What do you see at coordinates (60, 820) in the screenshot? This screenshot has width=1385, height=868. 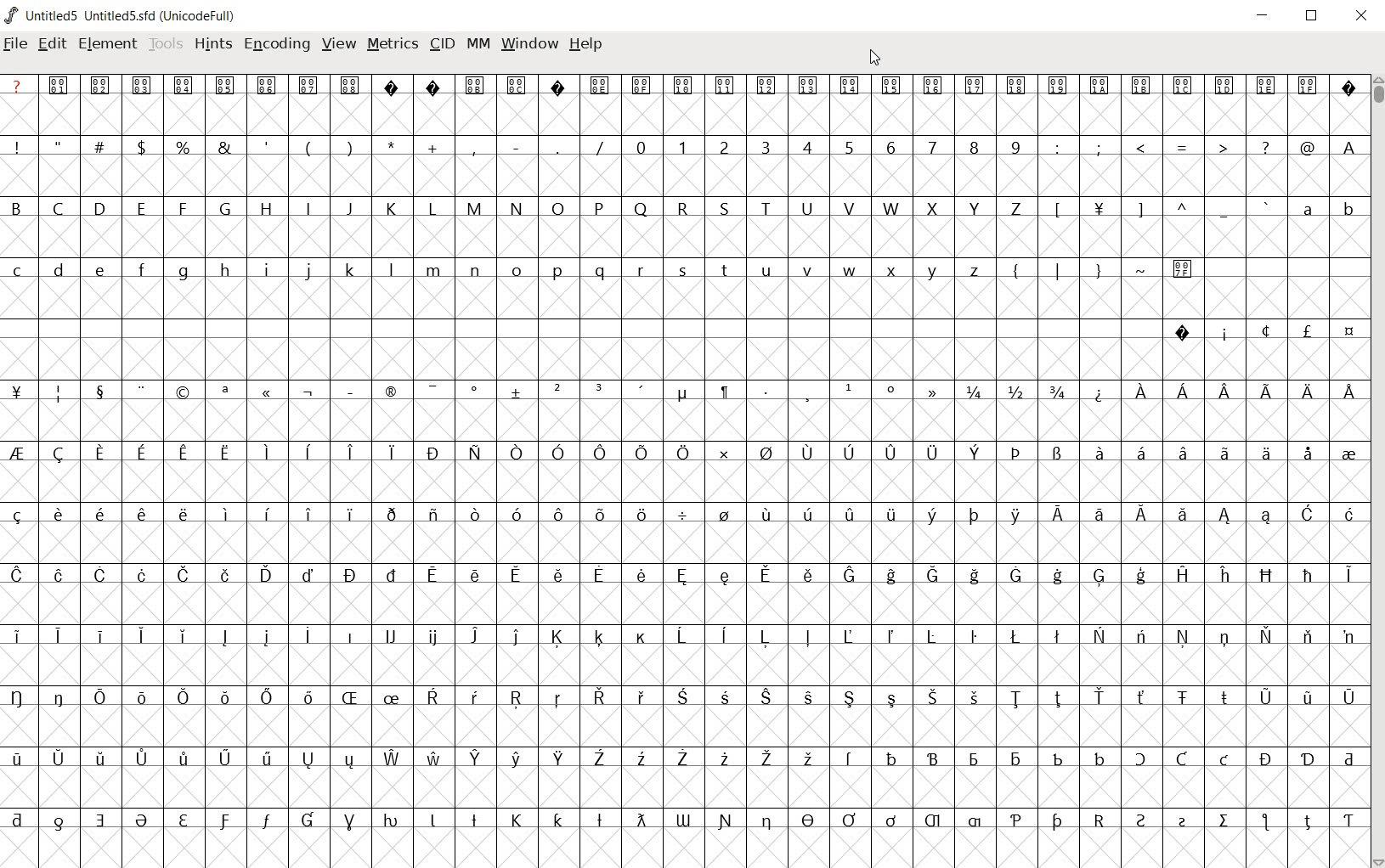 I see `Symbol` at bounding box center [60, 820].